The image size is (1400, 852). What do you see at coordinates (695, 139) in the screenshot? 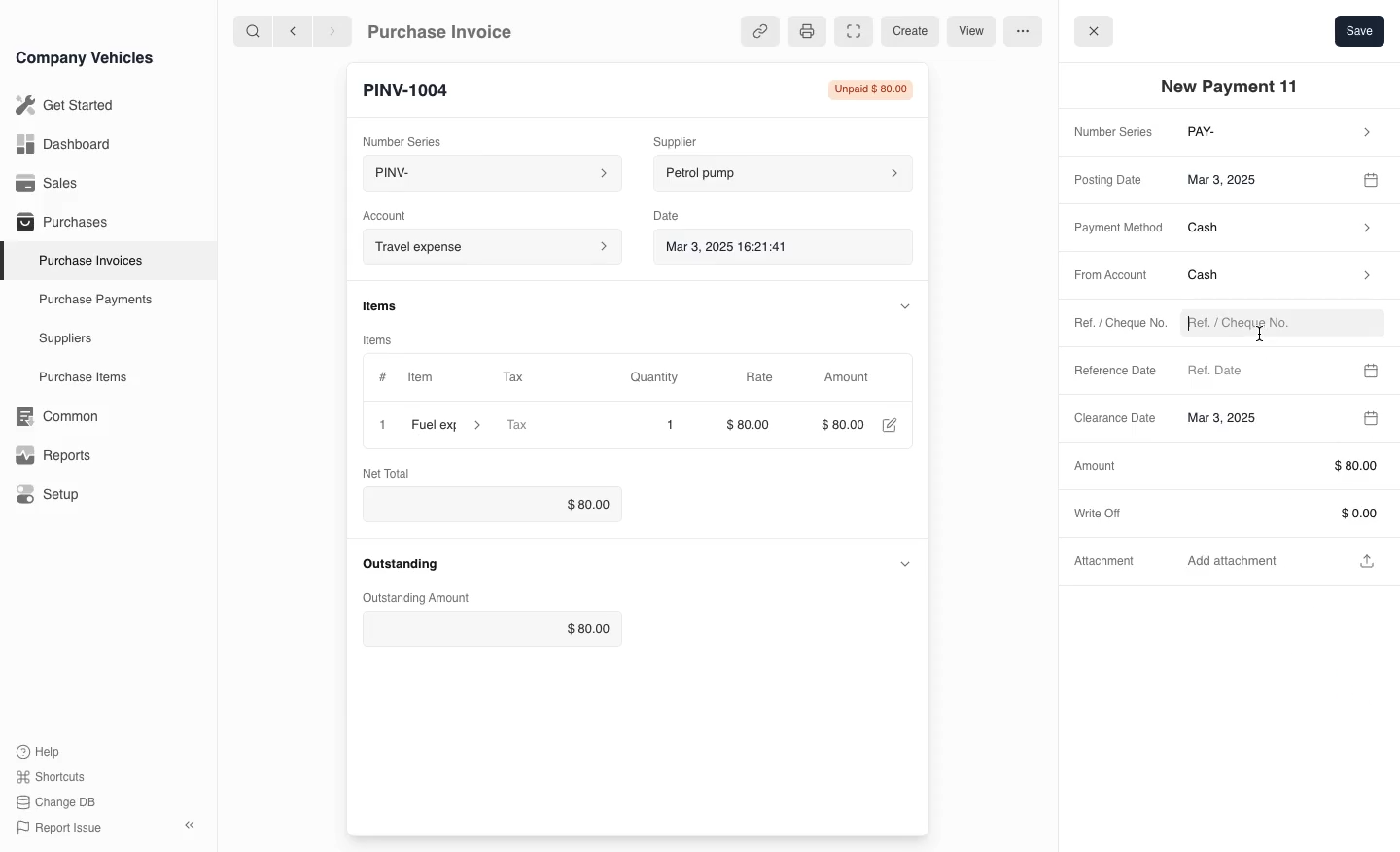
I see `Supplier` at bounding box center [695, 139].